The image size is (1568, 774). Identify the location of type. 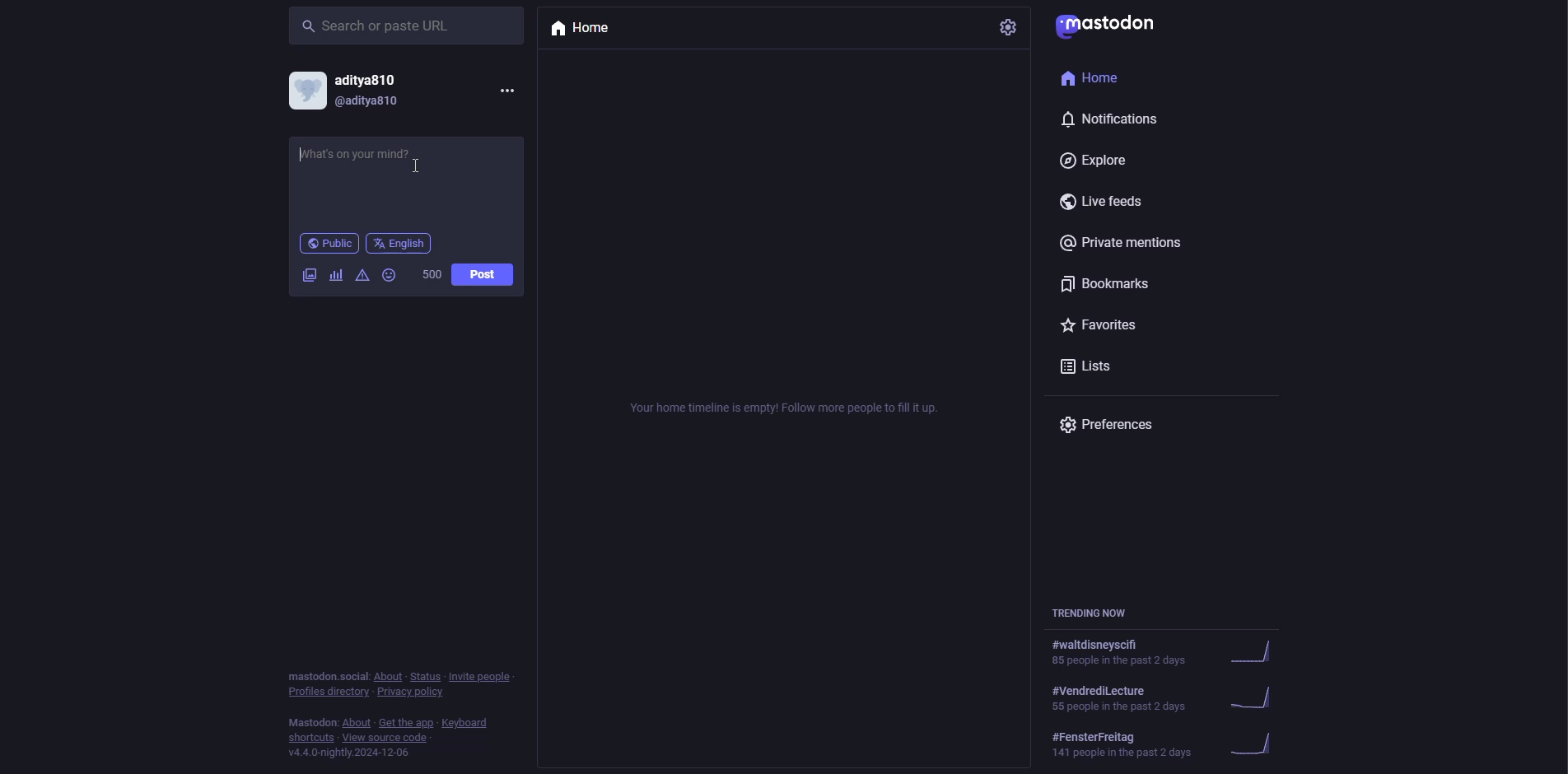
(362, 161).